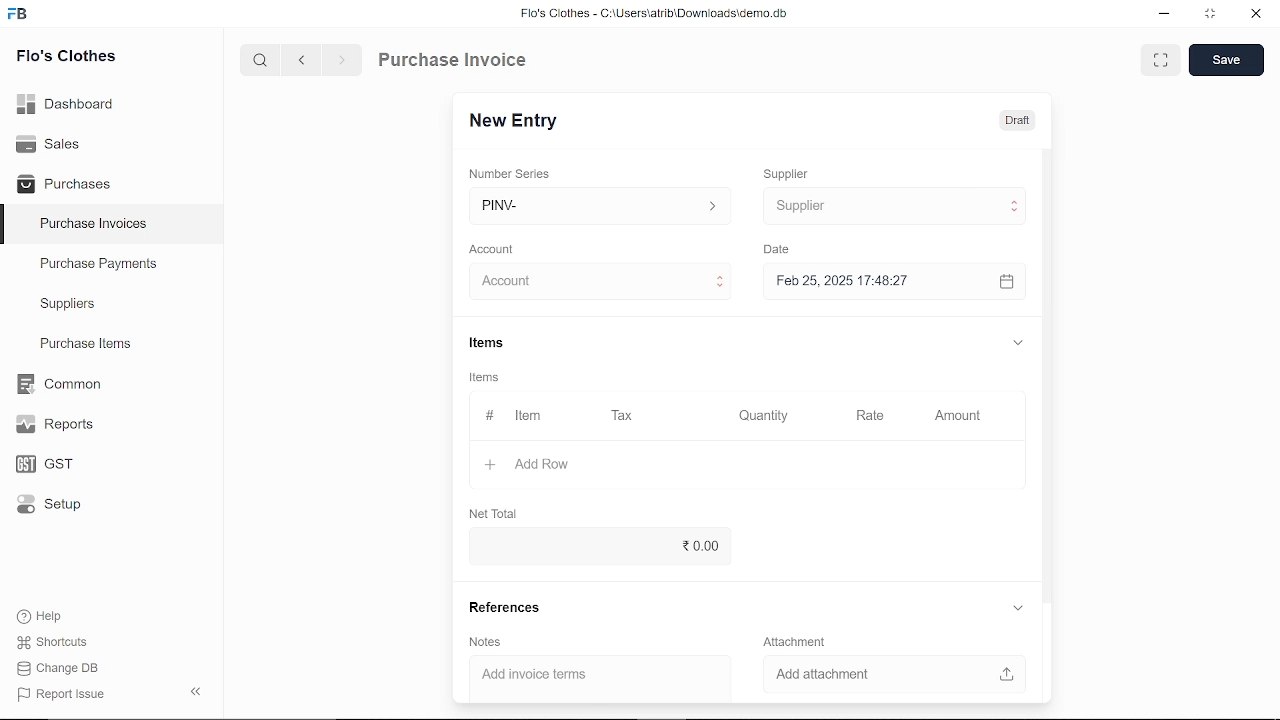 This screenshot has height=720, width=1280. What do you see at coordinates (890, 206) in the screenshot?
I see `input ‘Supplier` at bounding box center [890, 206].